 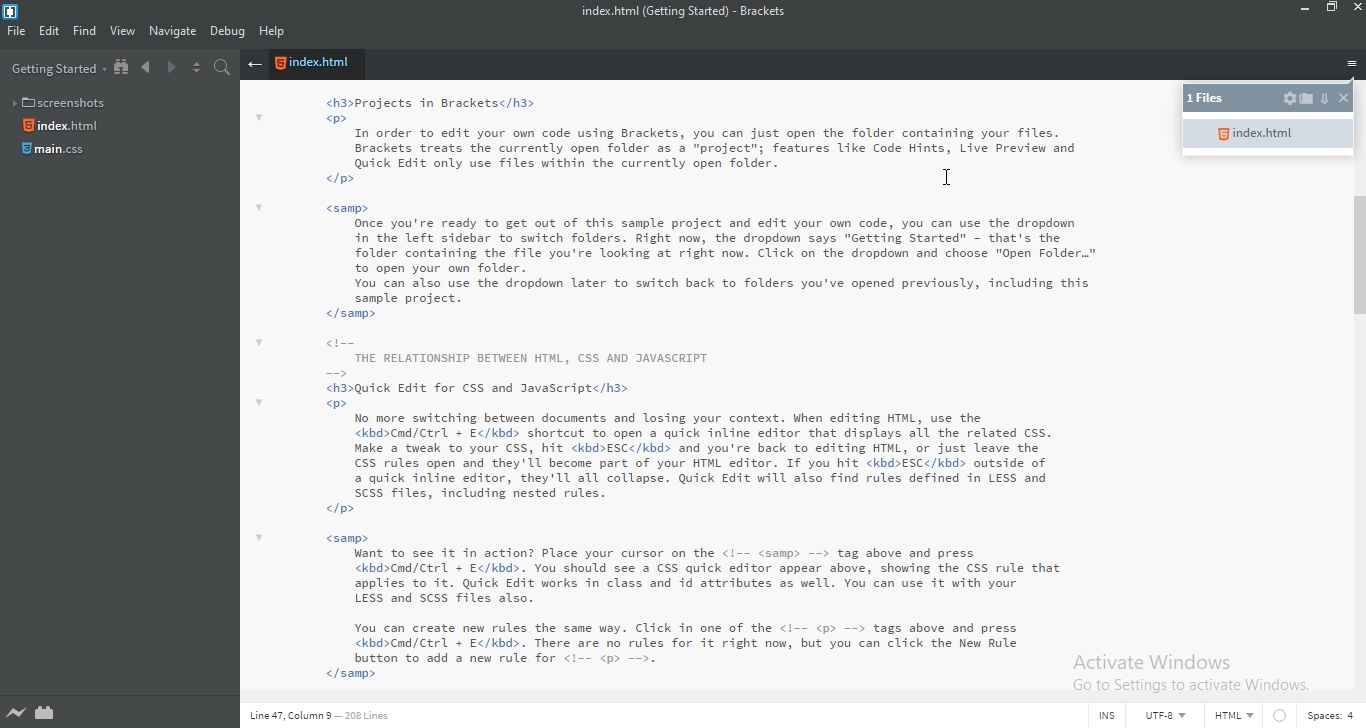 What do you see at coordinates (47, 713) in the screenshot?
I see `plugin manager` at bounding box center [47, 713].